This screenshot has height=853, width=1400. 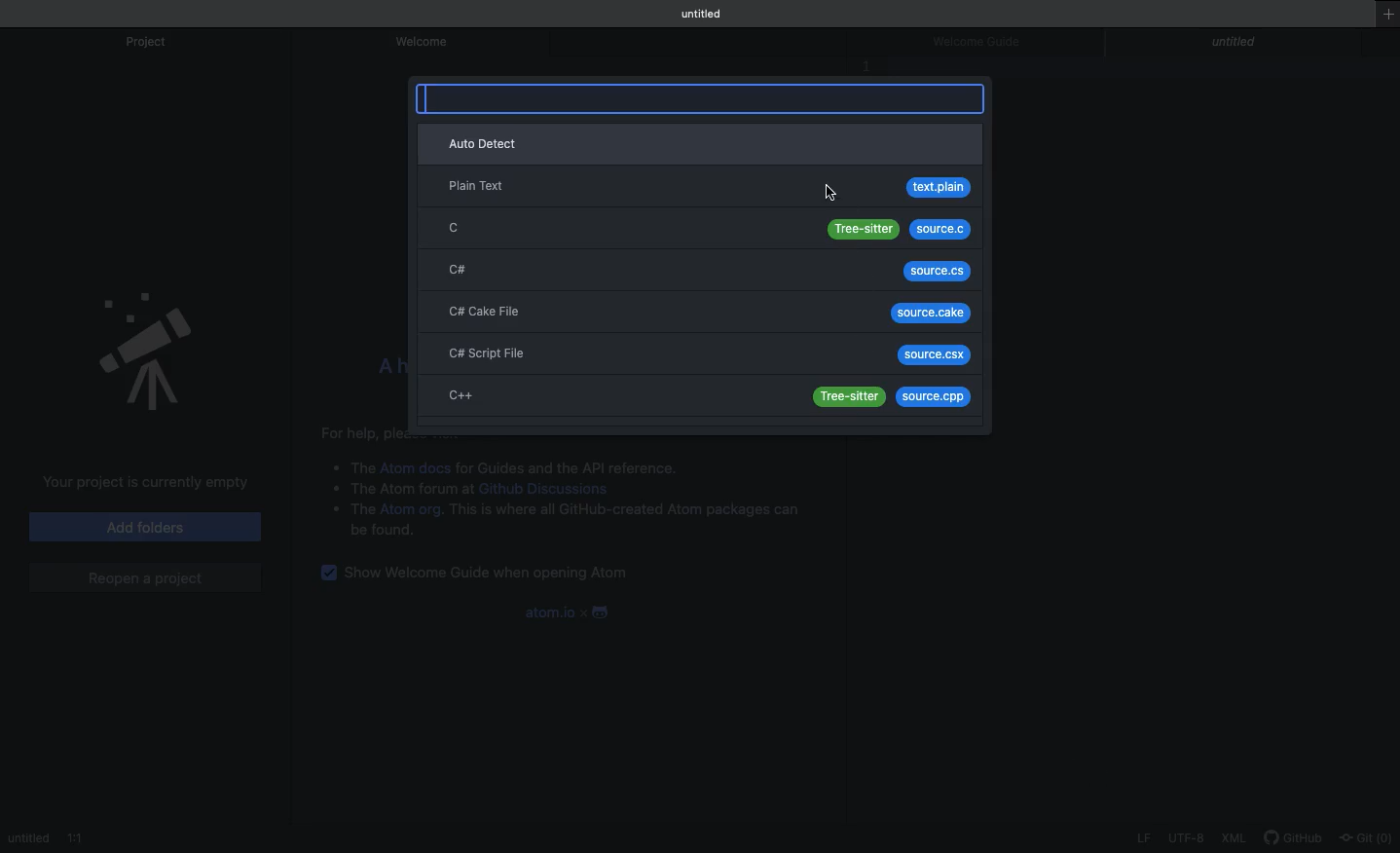 What do you see at coordinates (349, 508) in the screenshot?
I see `list item` at bounding box center [349, 508].